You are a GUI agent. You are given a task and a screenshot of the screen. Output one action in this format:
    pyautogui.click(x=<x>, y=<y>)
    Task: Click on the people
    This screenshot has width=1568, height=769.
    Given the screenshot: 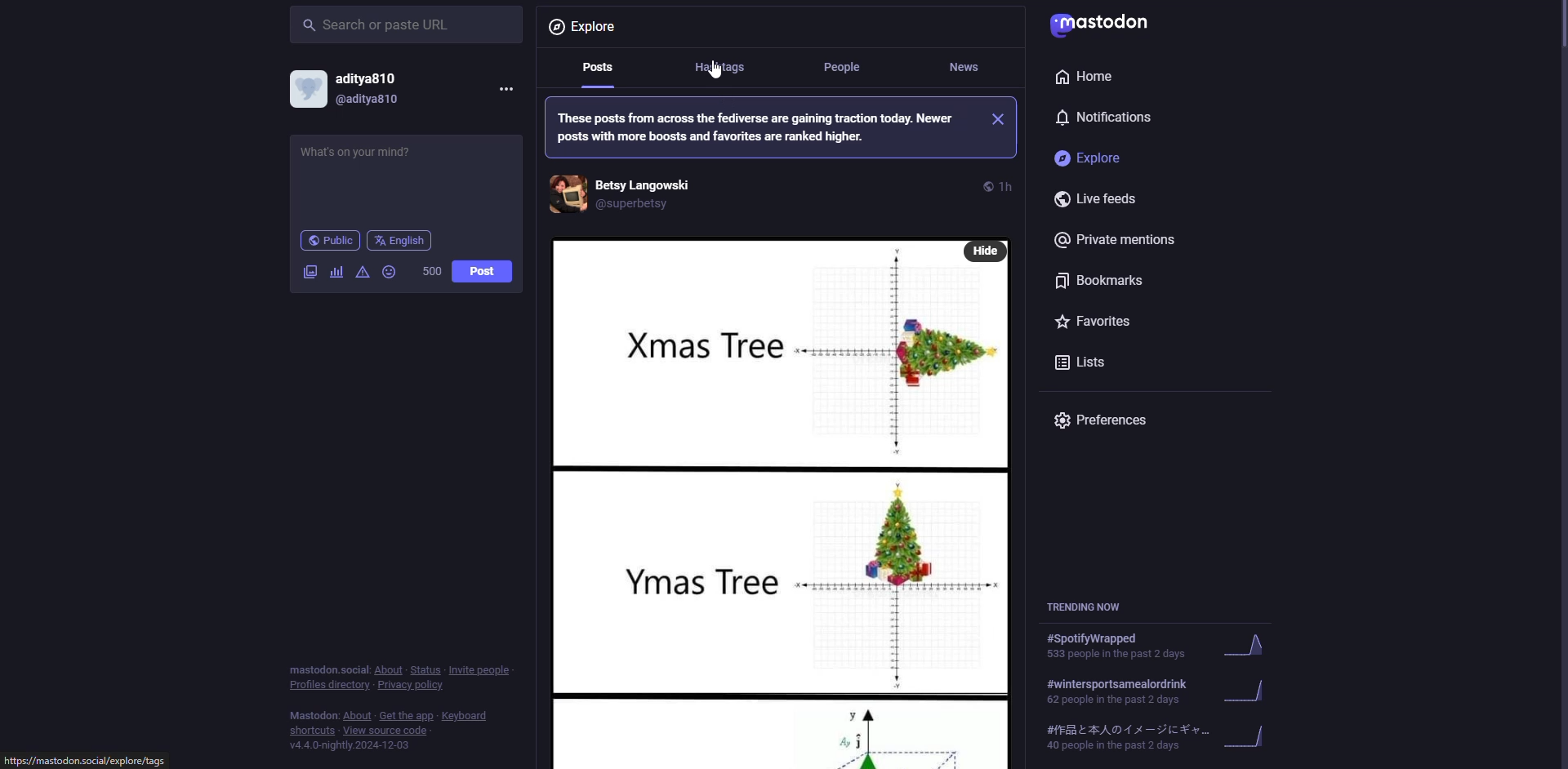 What is the action you would take?
    pyautogui.click(x=844, y=68)
    